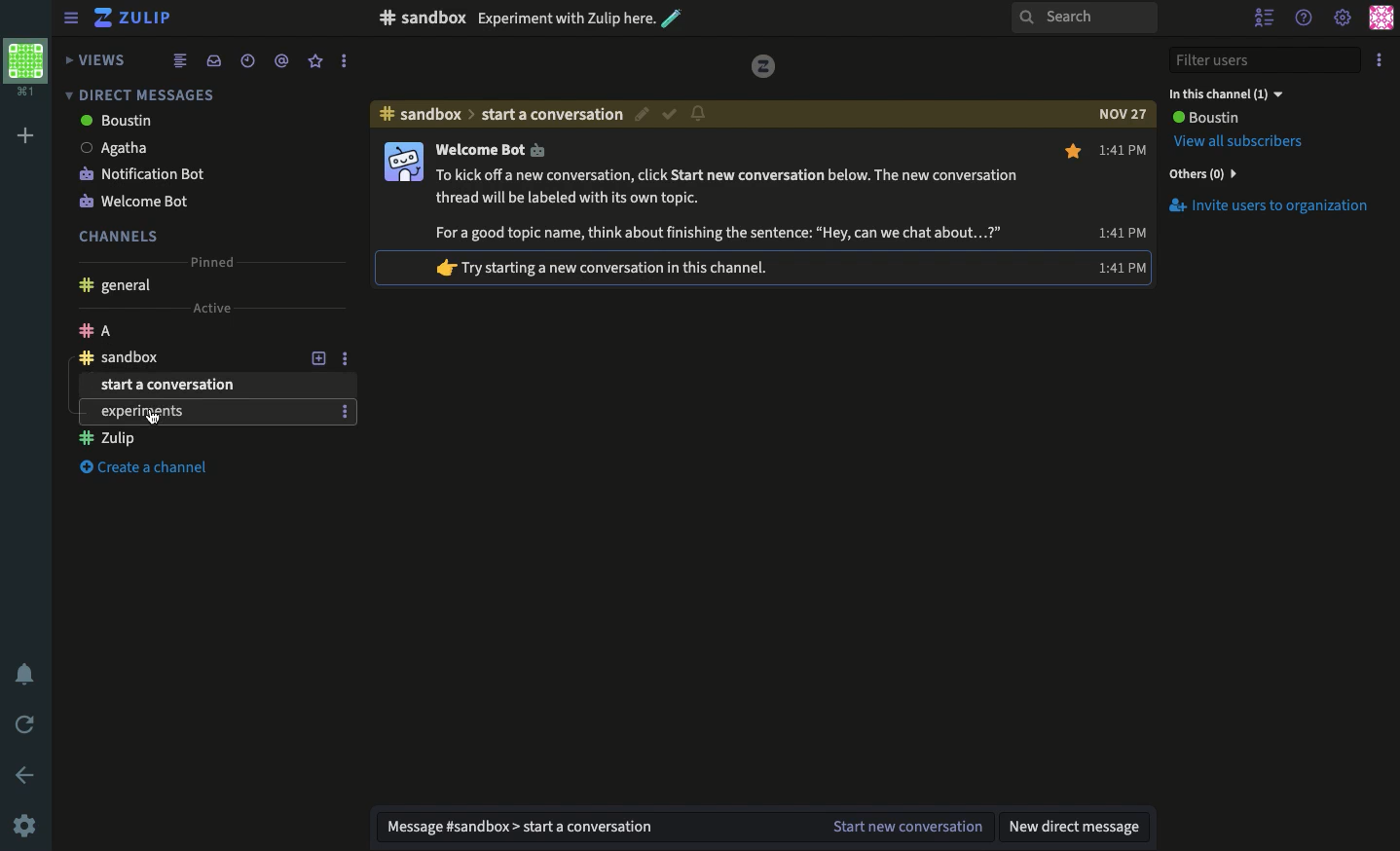 Image resolution: width=1400 pixels, height=851 pixels. What do you see at coordinates (1267, 19) in the screenshot?
I see `Hide users list` at bounding box center [1267, 19].